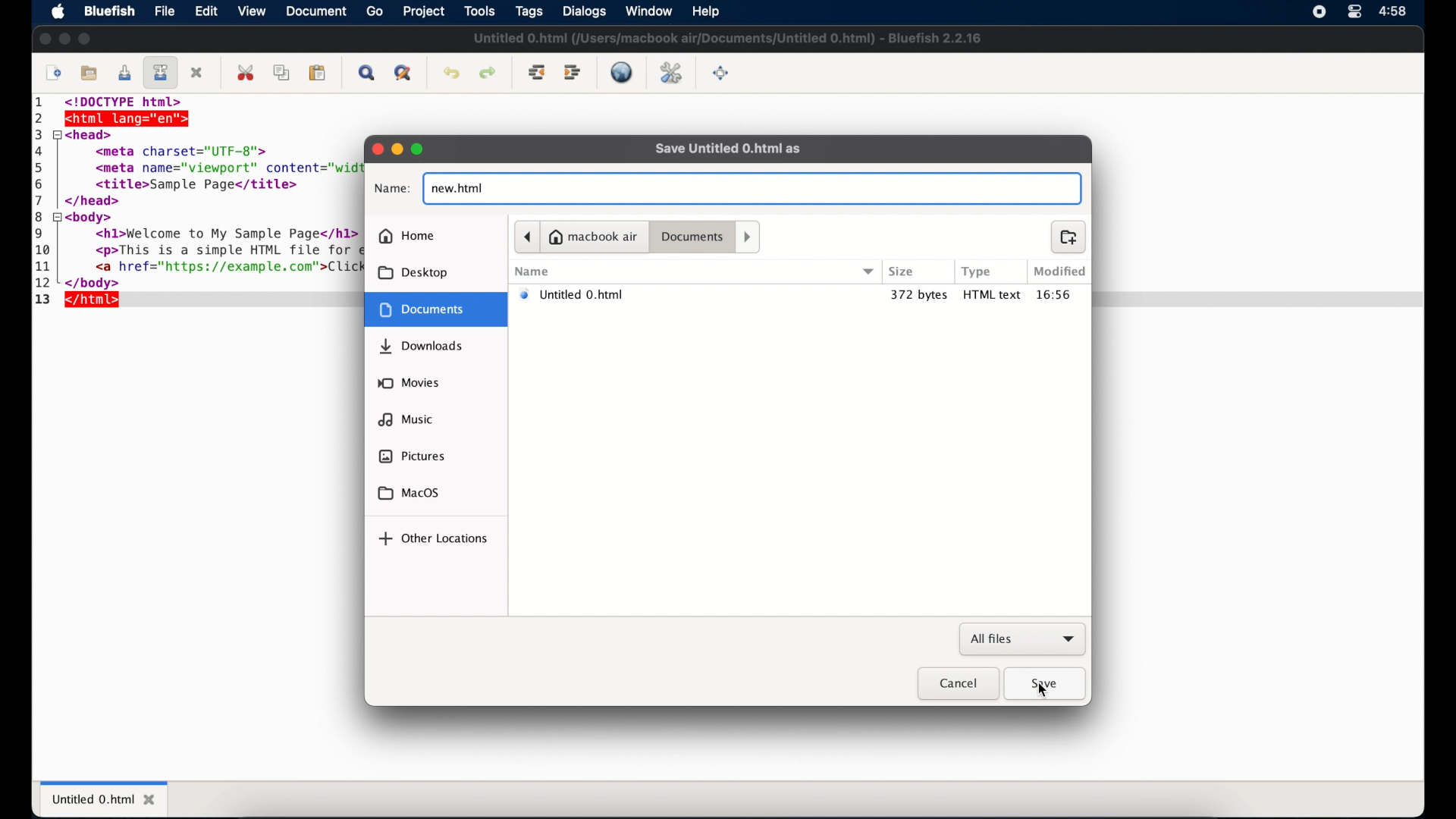 Image resolution: width=1456 pixels, height=819 pixels. What do you see at coordinates (93, 202) in the screenshot?
I see `</head>` at bounding box center [93, 202].